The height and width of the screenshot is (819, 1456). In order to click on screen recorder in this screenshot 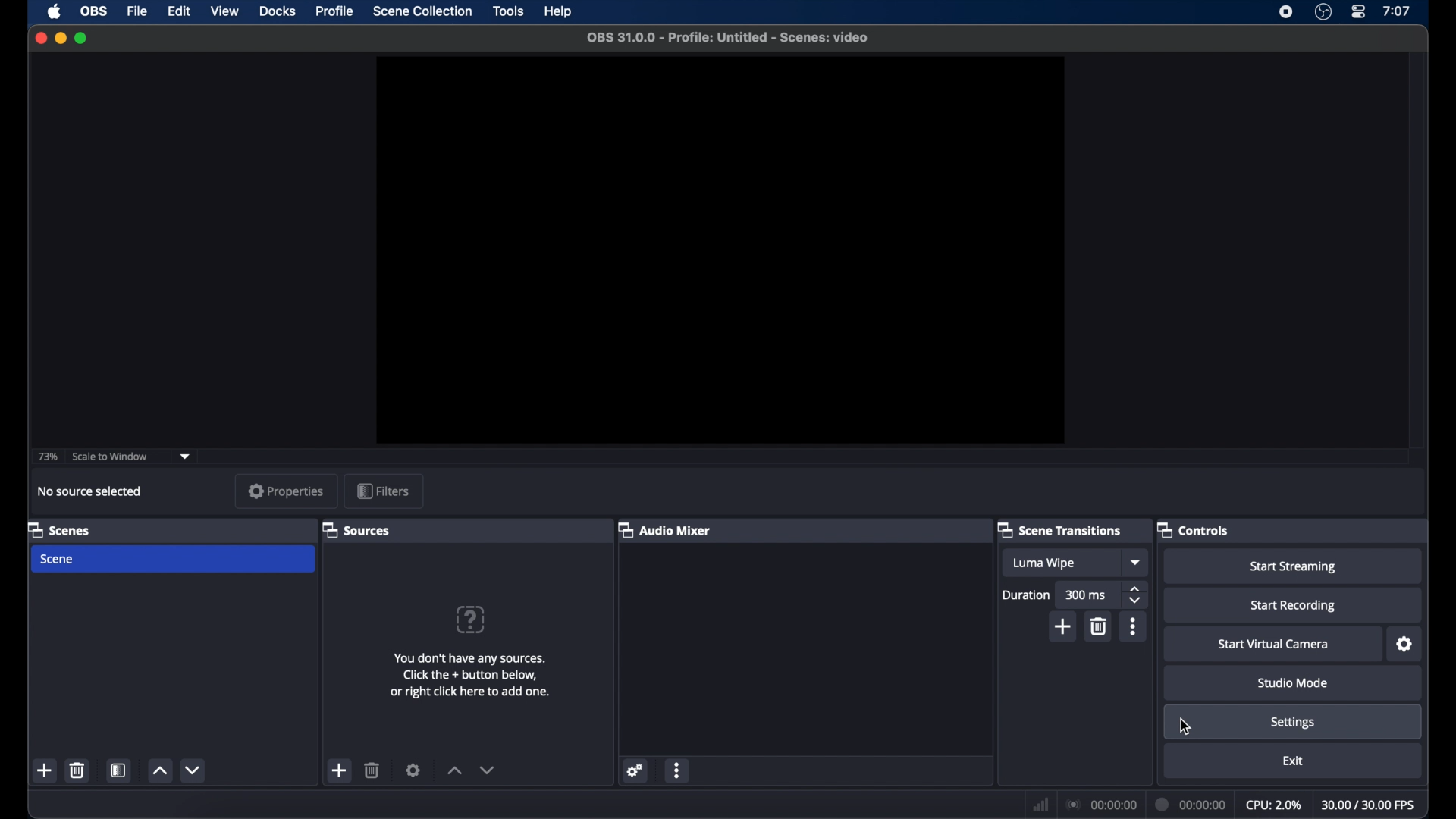, I will do `click(1285, 12)`.